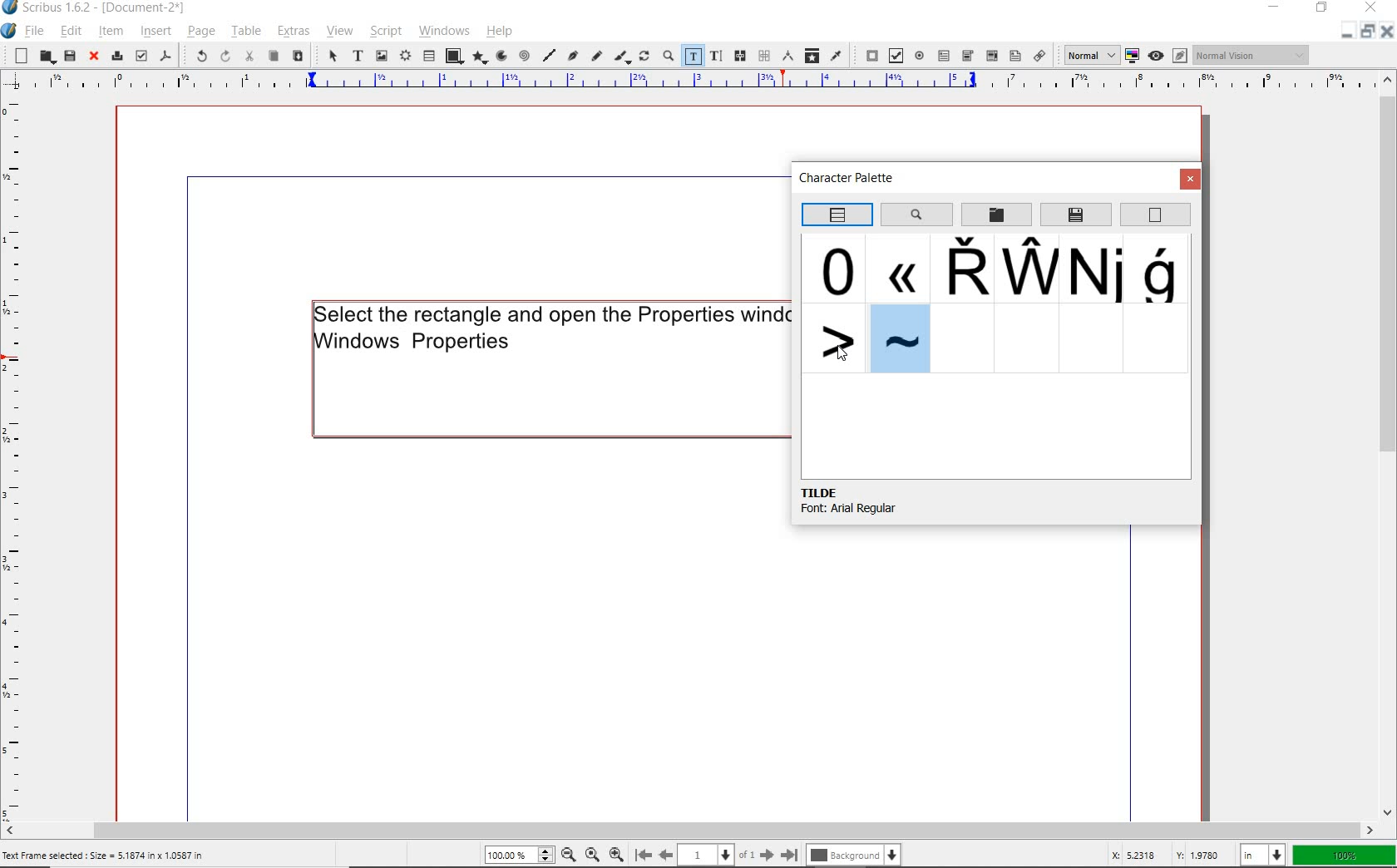  I want to click on help, so click(500, 32).